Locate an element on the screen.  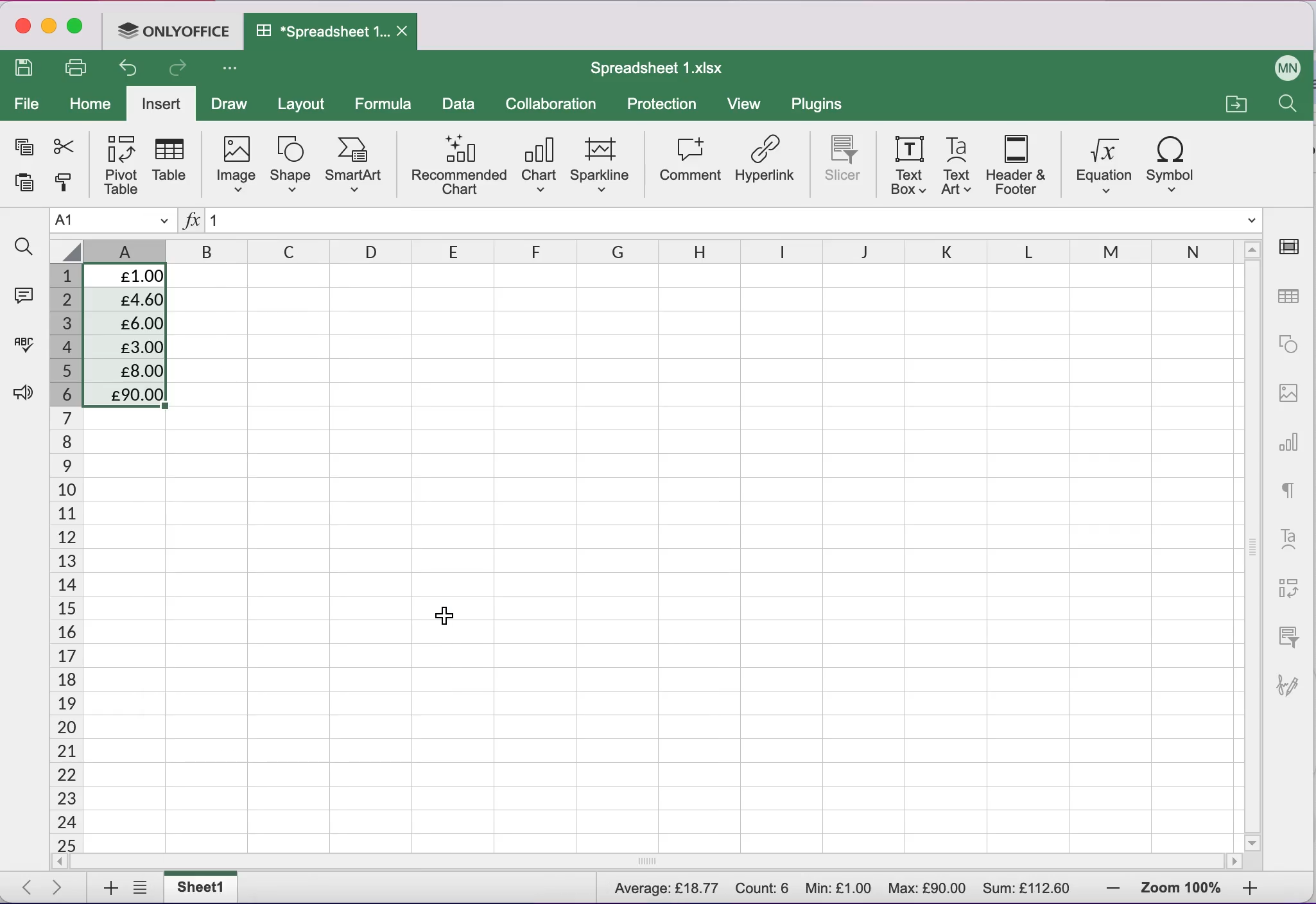
open a file location is located at coordinates (1239, 105).